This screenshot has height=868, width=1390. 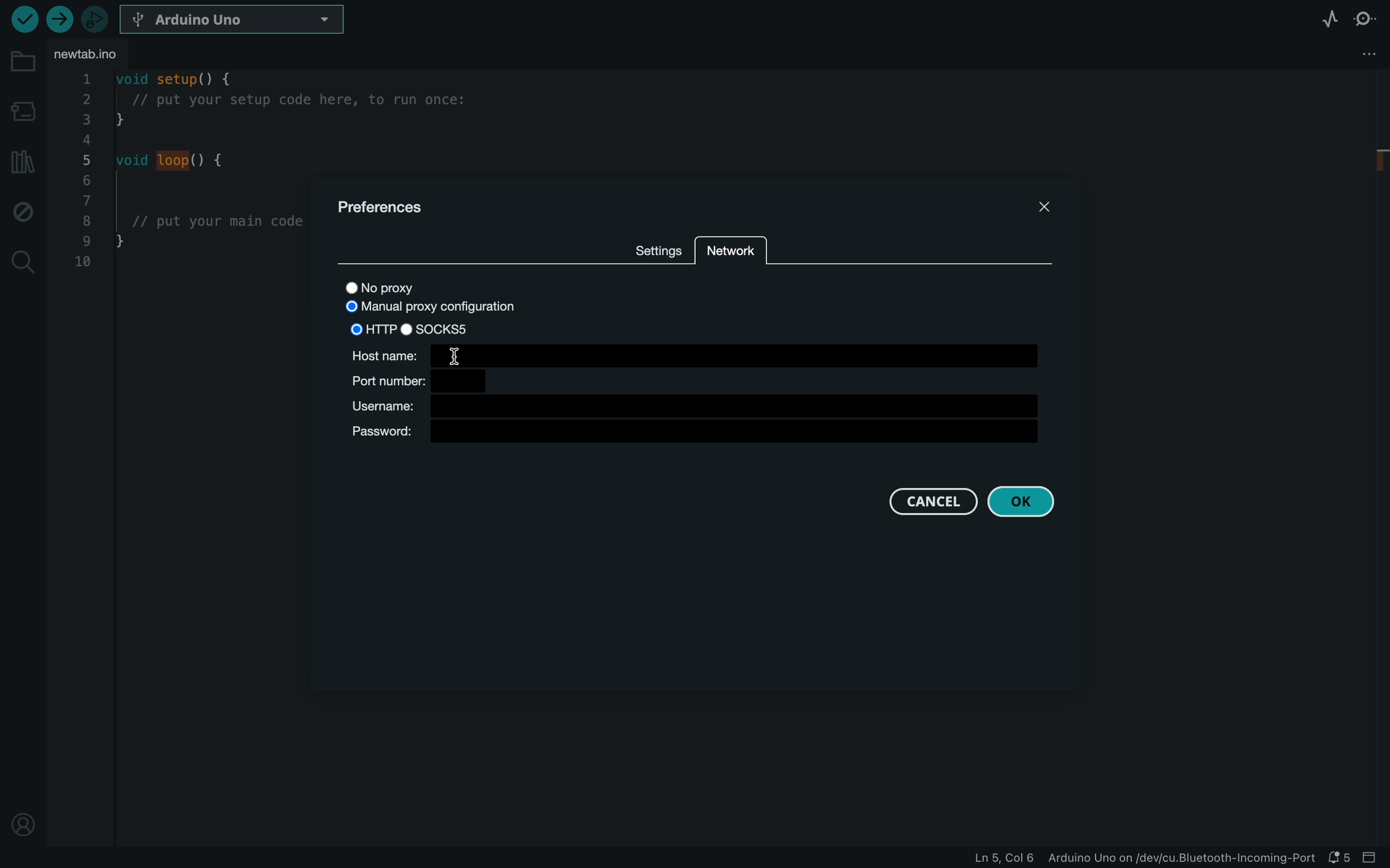 What do you see at coordinates (455, 356) in the screenshot?
I see `cursor` at bounding box center [455, 356].